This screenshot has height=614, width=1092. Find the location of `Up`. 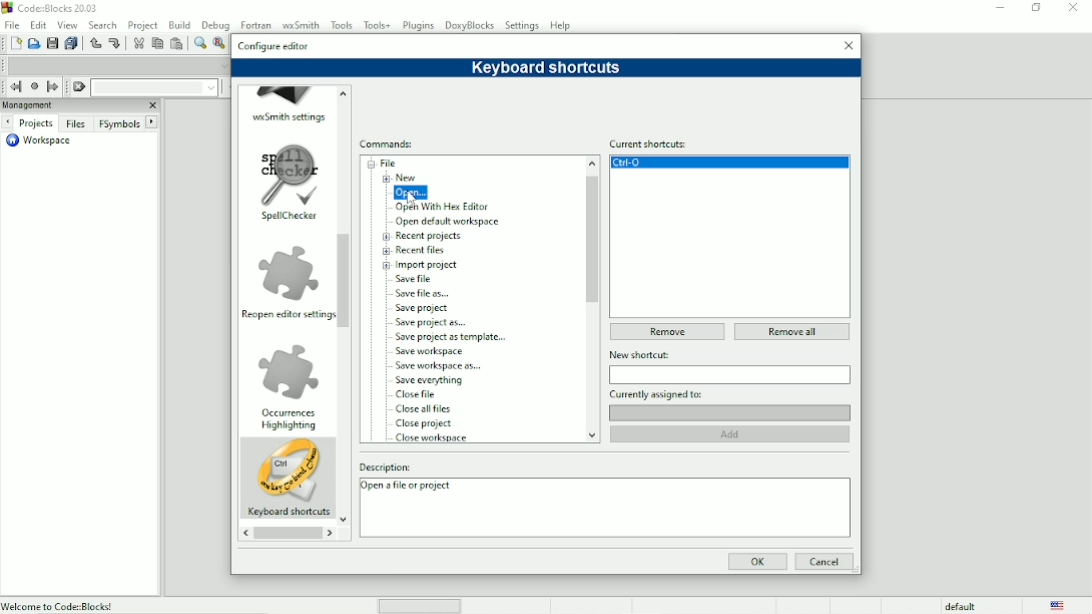

Up is located at coordinates (590, 162).